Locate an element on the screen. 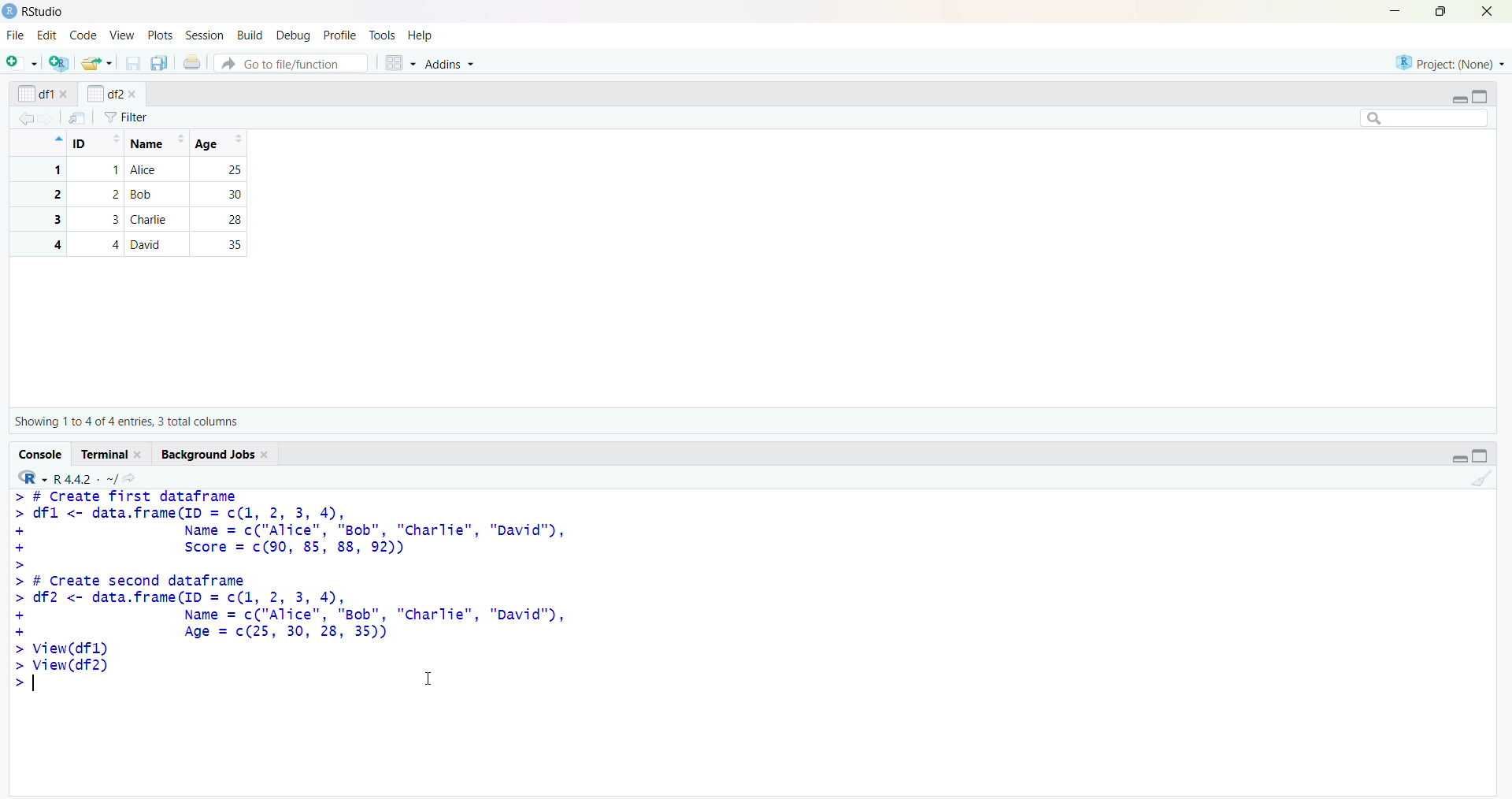 The height and width of the screenshot is (799, 1512). Collapse/expand  is located at coordinates (1459, 459).